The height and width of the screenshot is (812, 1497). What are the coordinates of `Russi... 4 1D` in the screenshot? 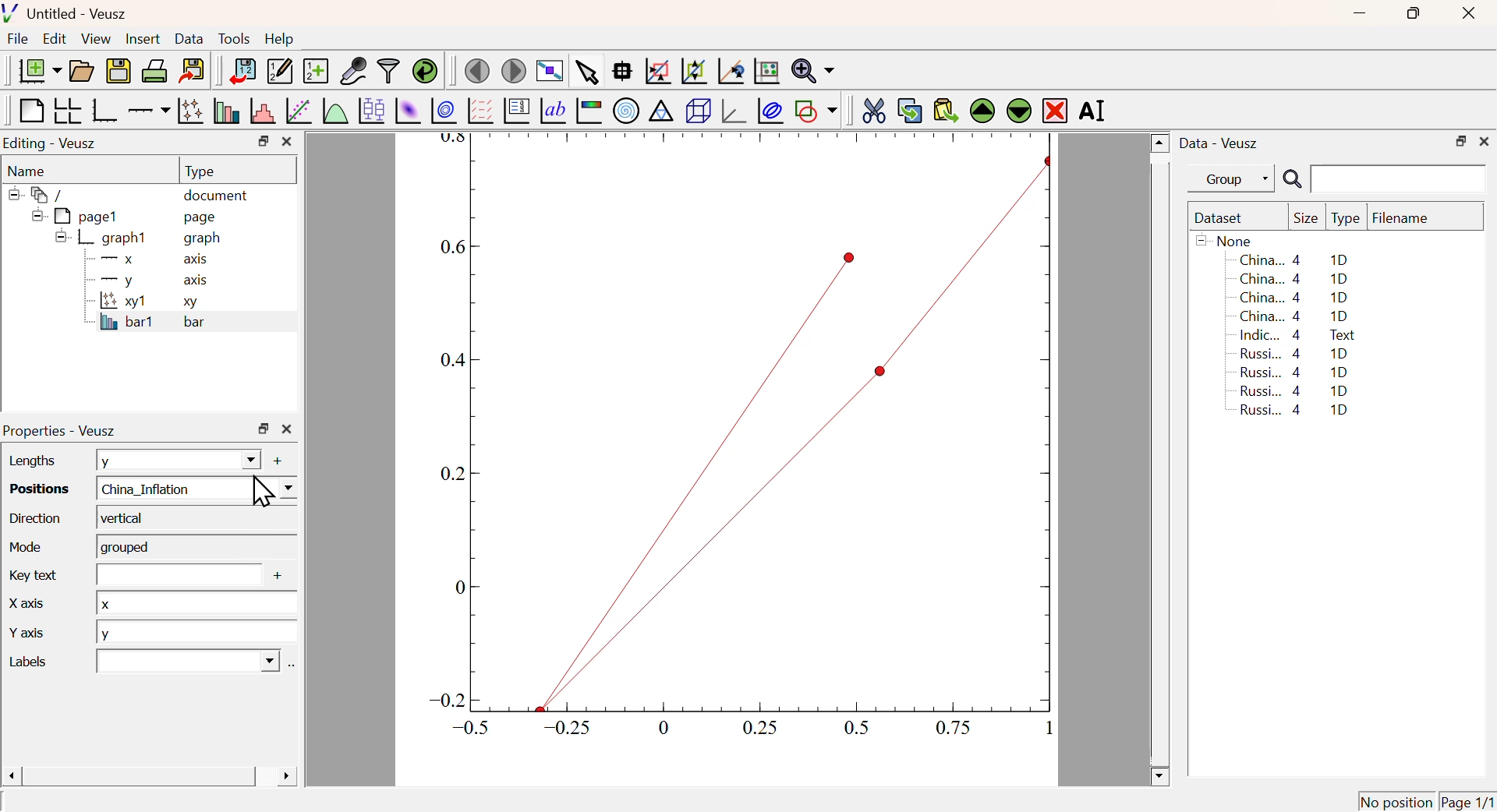 It's located at (1291, 390).